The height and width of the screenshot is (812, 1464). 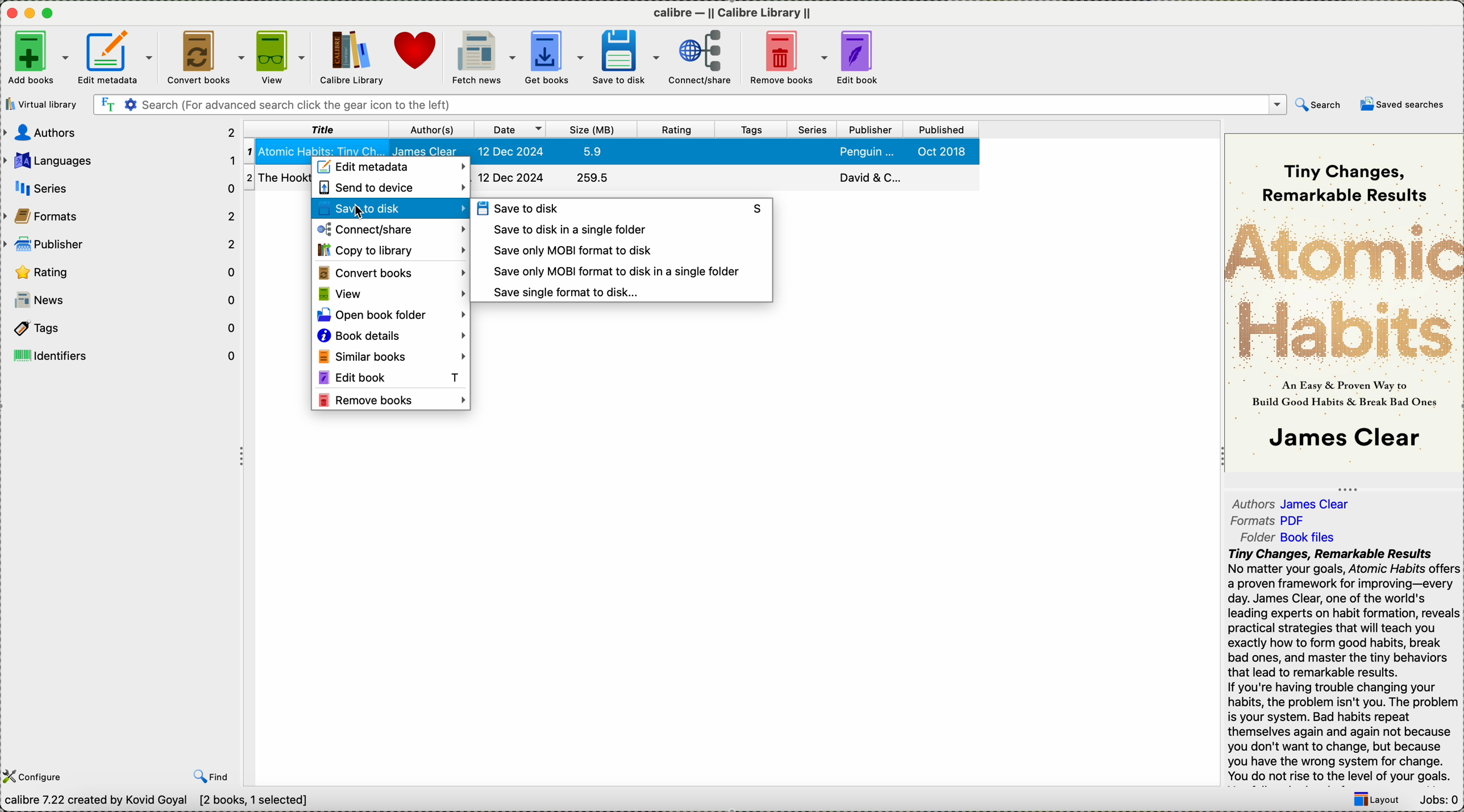 I want to click on connect/share, so click(x=701, y=58).